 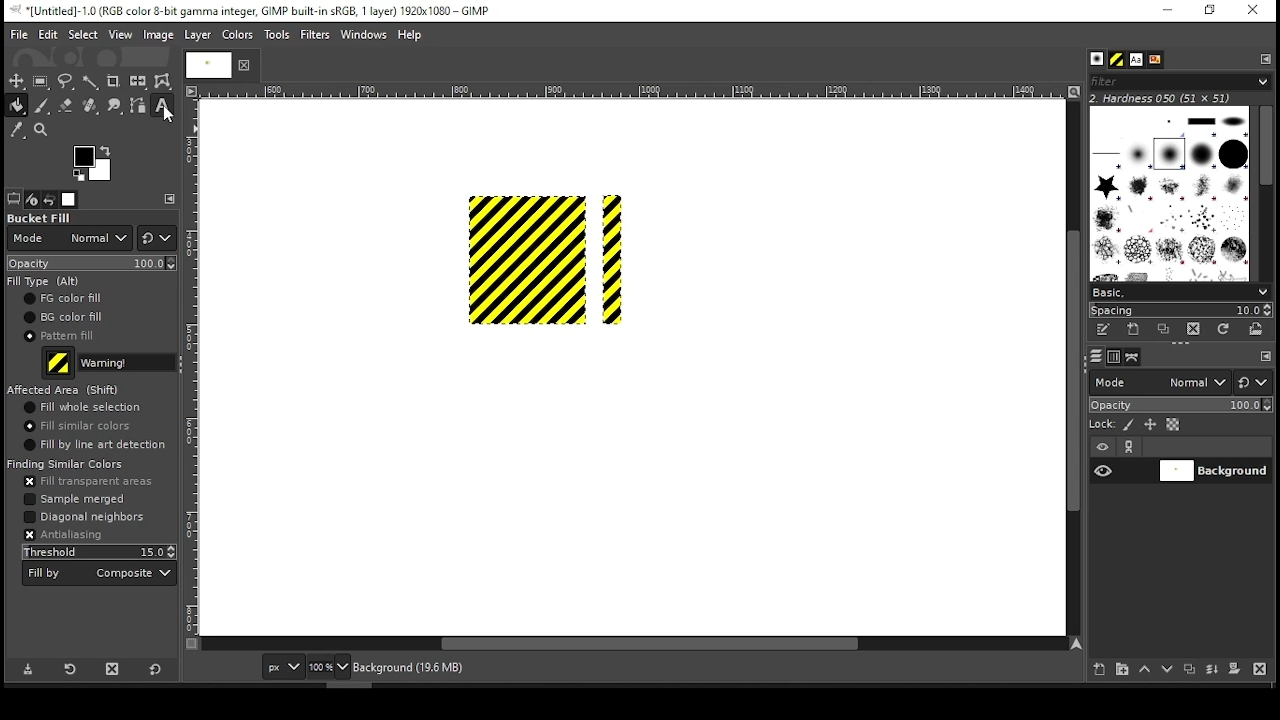 What do you see at coordinates (139, 107) in the screenshot?
I see `paths tool` at bounding box center [139, 107].